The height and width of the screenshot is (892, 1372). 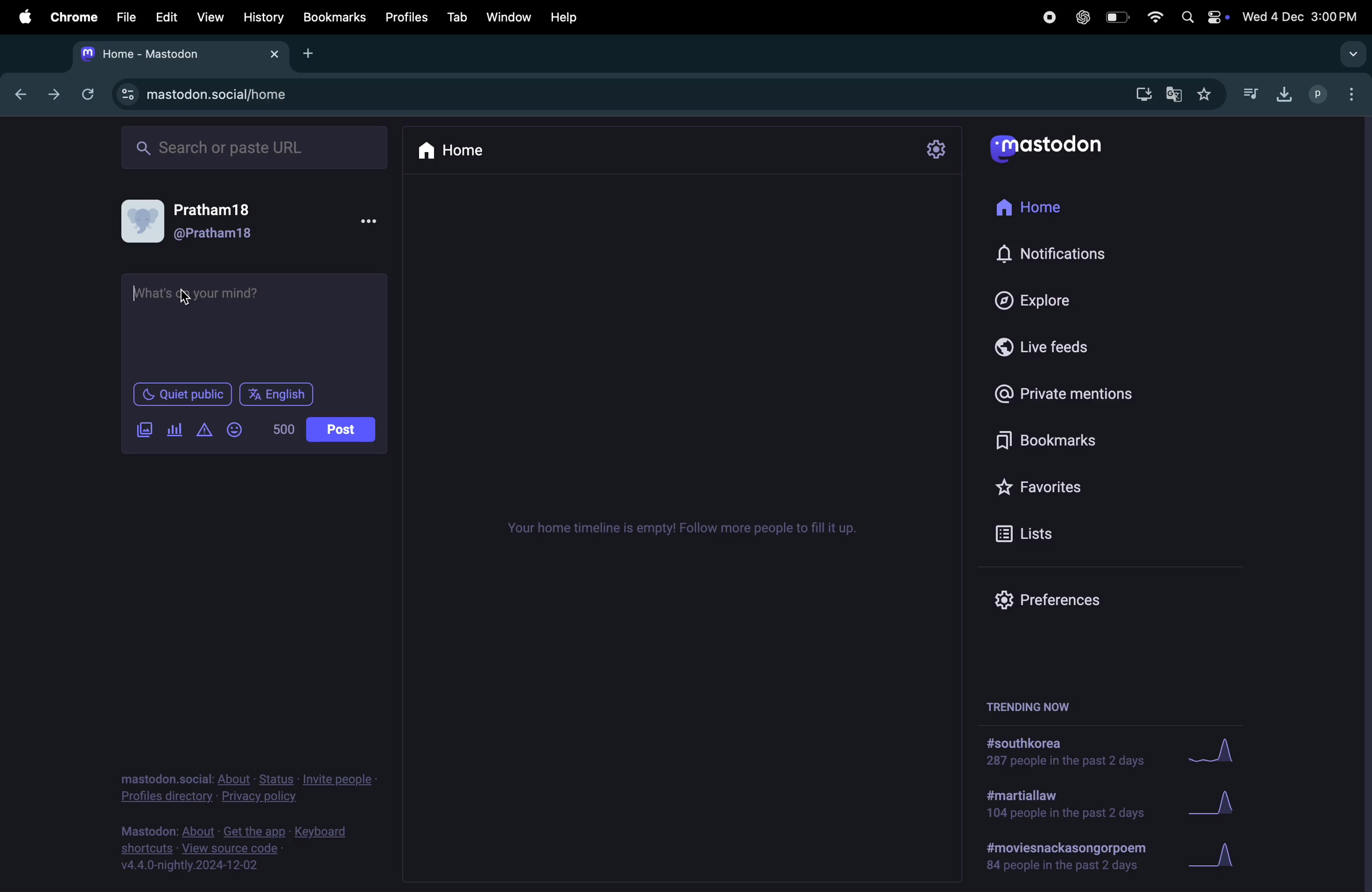 I want to click on post, so click(x=341, y=429).